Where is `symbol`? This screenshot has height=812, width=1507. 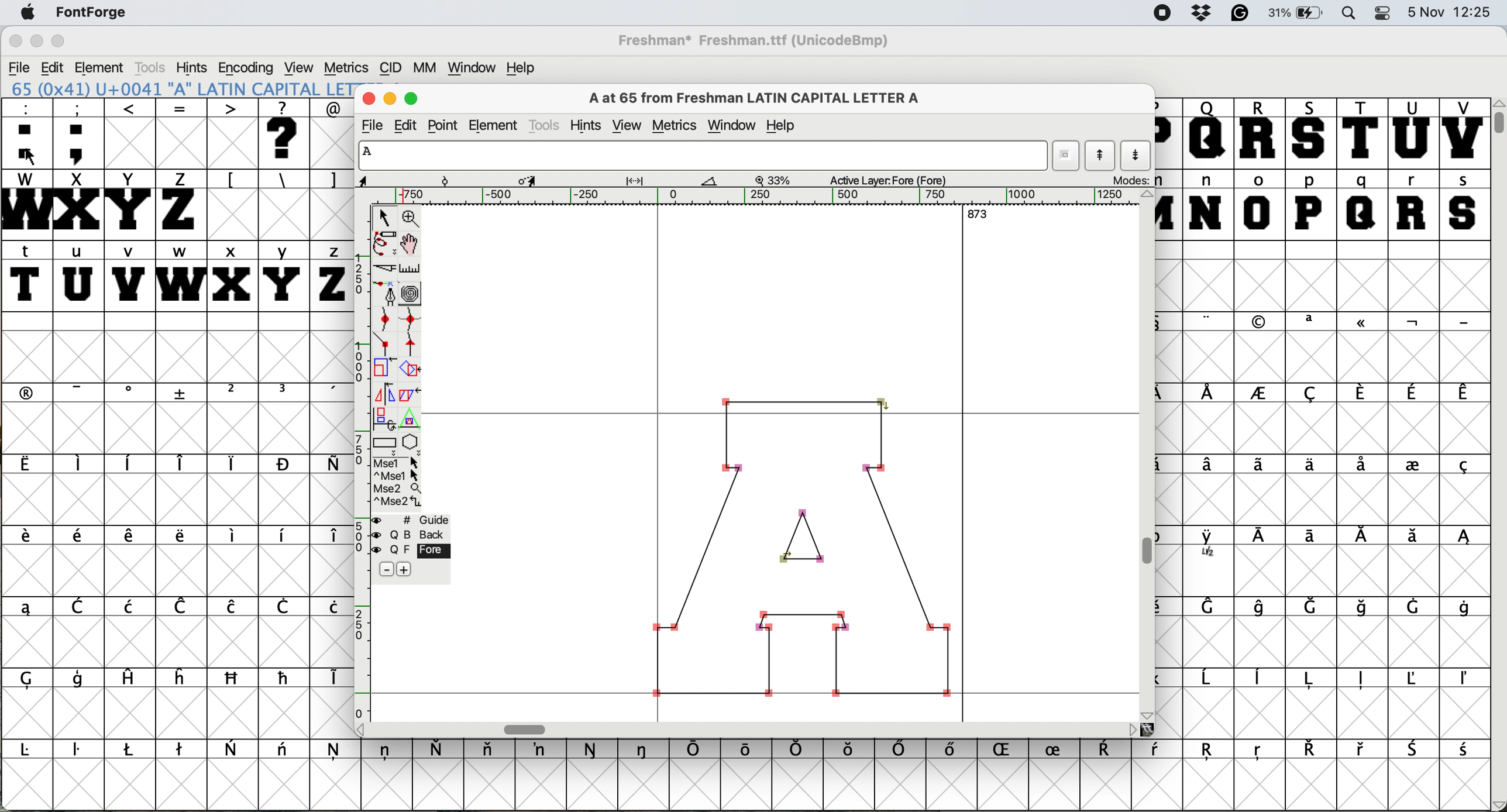
symbol is located at coordinates (593, 749).